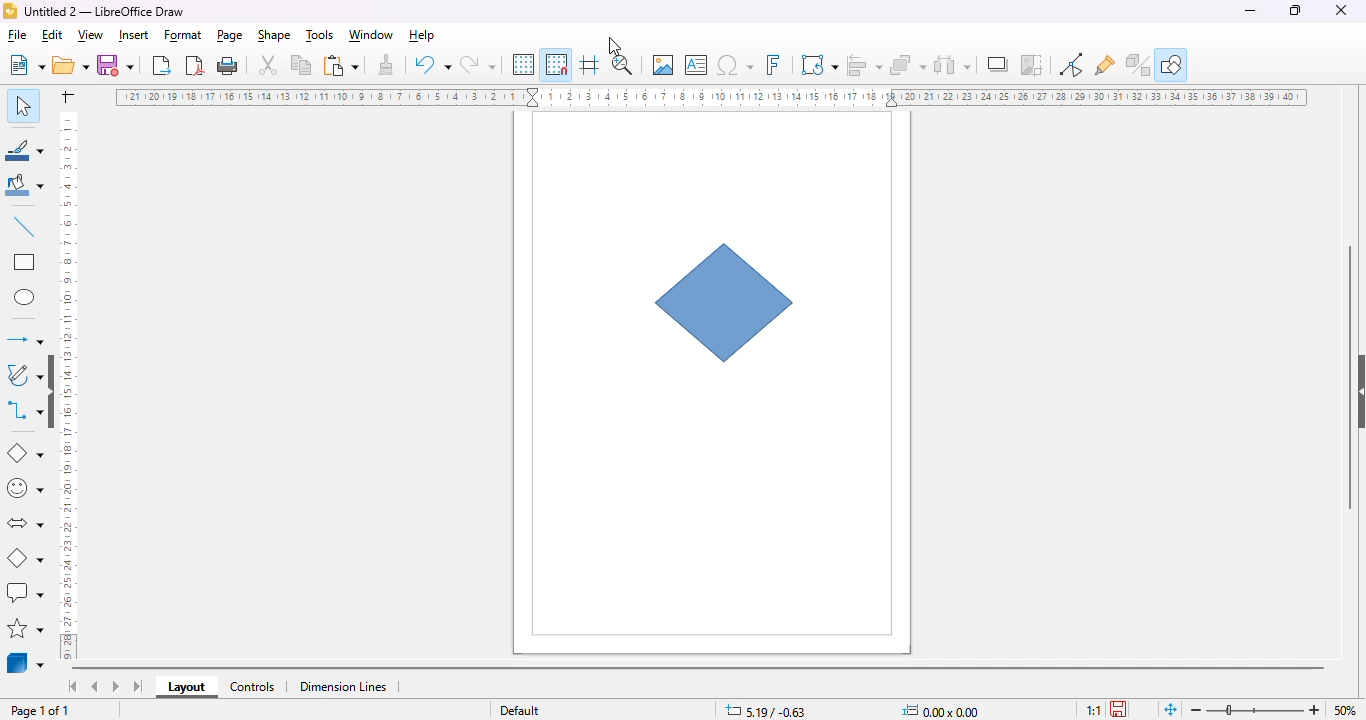 The width and height of the screenshot is (1366, 720). What do you see at coordinates (134, 35) in the screenshot?
I see `insert` at bounding box center [134, 35].